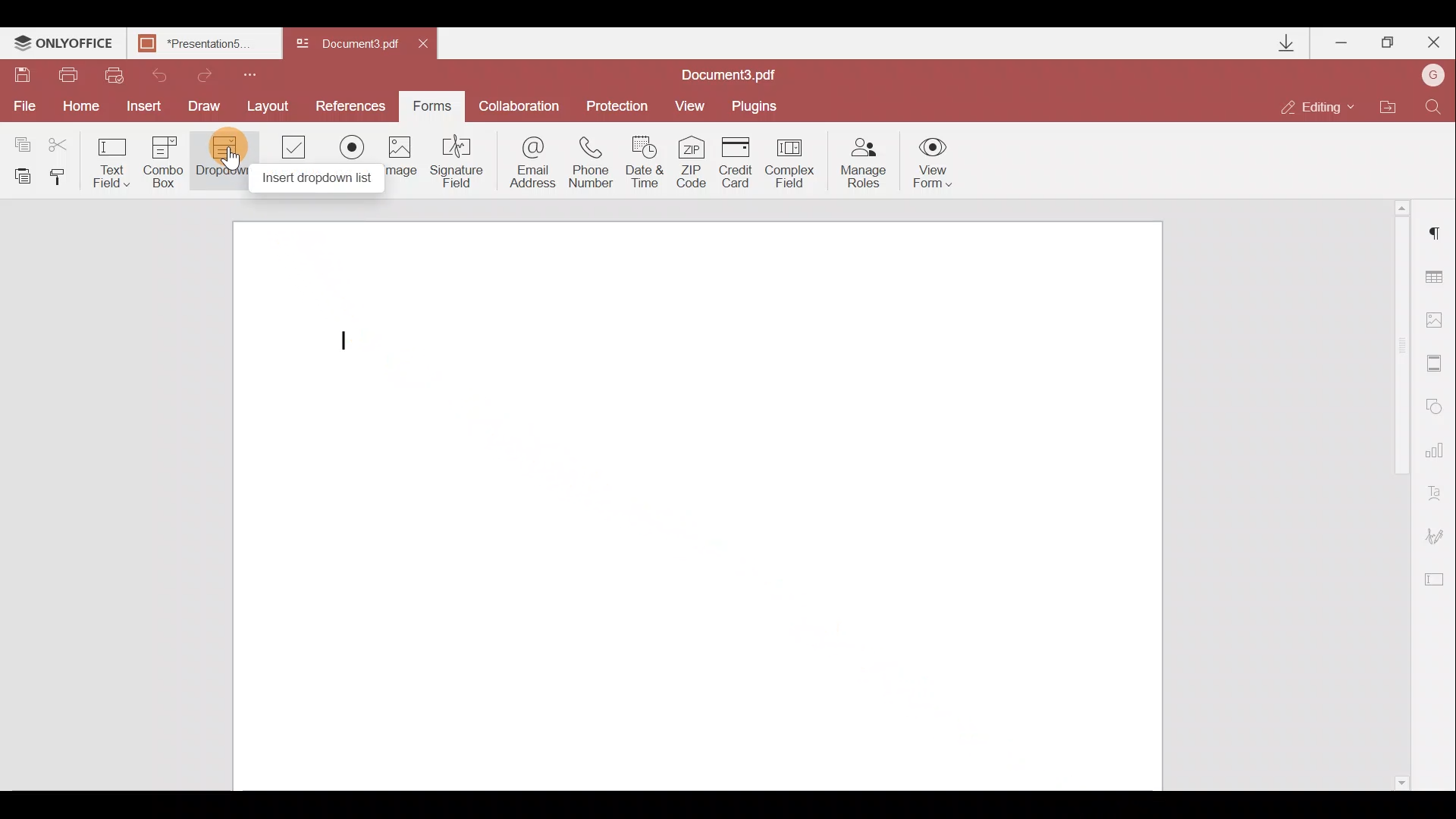 Image resolution: width=1456 pixels, height=819 pixels. What do you see at coordinates (21, 77) in the screenshot?
I see `Save` at bounding box center [21, 77].